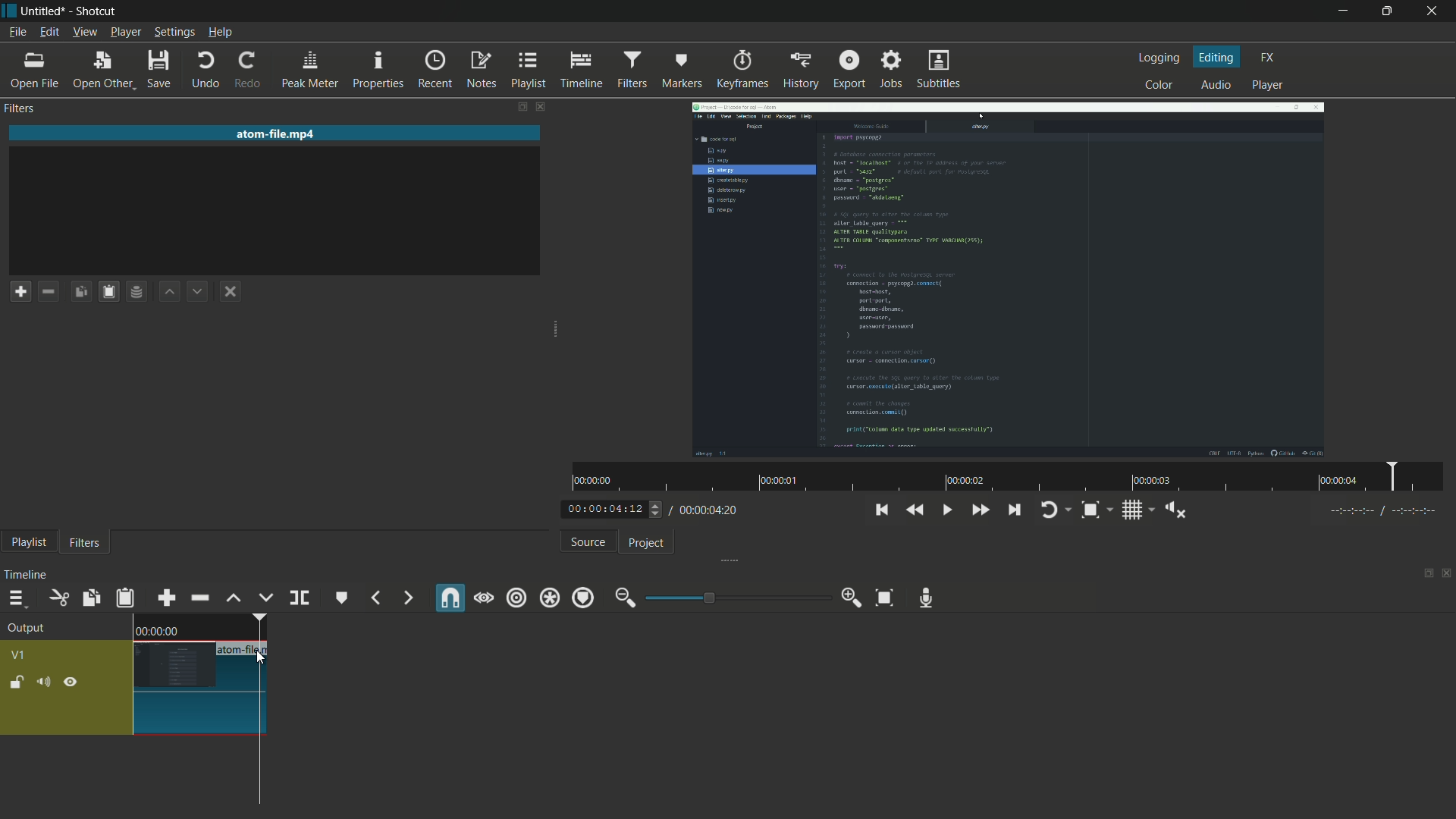  Describe the element at coordinates (1423, 574) in the screenshot. I see `change layout` at that location.